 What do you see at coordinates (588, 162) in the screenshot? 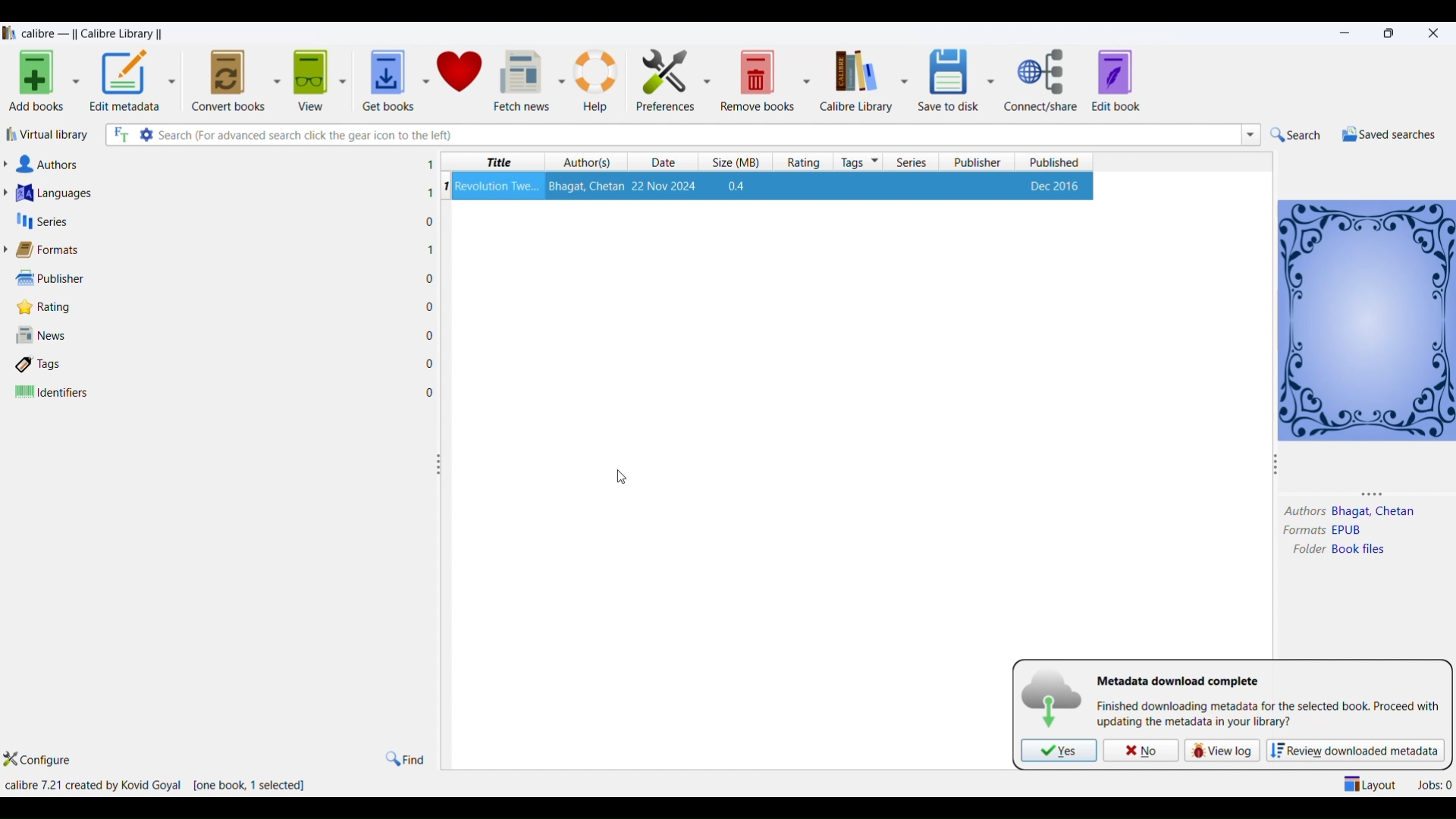
I see `authors` at bounding box center [588, 162].